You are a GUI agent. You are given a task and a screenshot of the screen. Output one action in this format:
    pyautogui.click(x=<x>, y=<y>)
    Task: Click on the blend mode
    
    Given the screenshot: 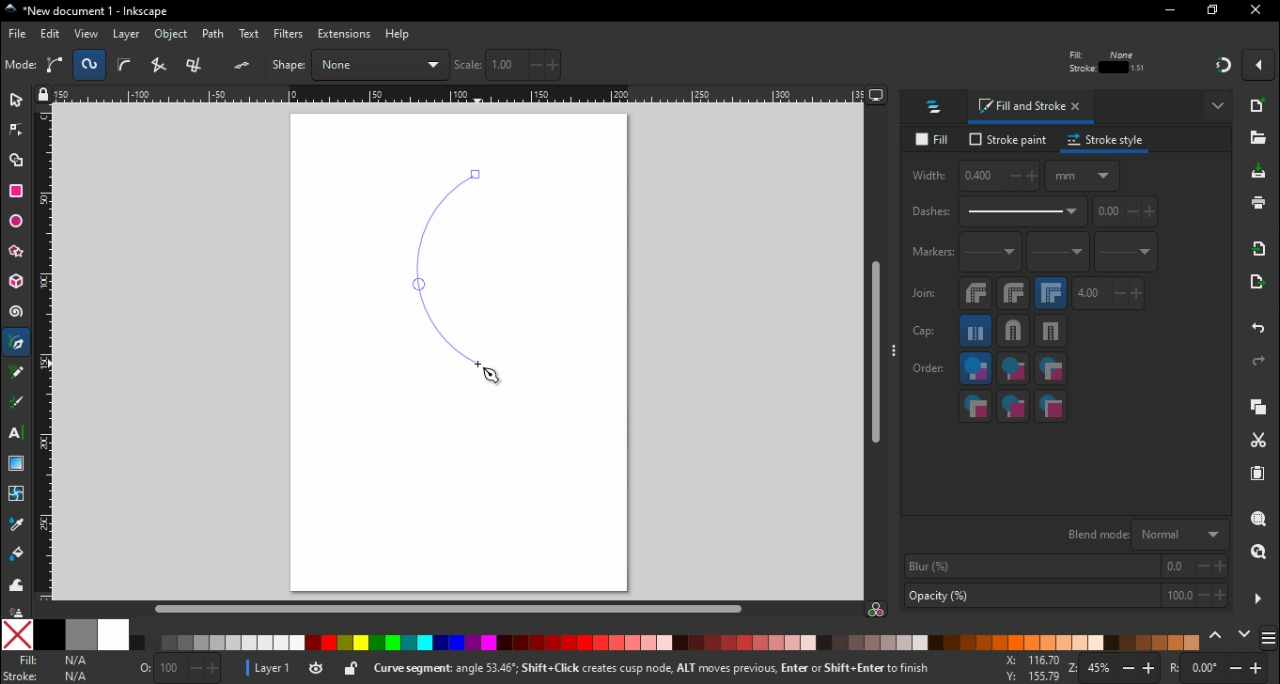 What is the action you would take?
    pyautogui.click(x=1146, y=535)
    